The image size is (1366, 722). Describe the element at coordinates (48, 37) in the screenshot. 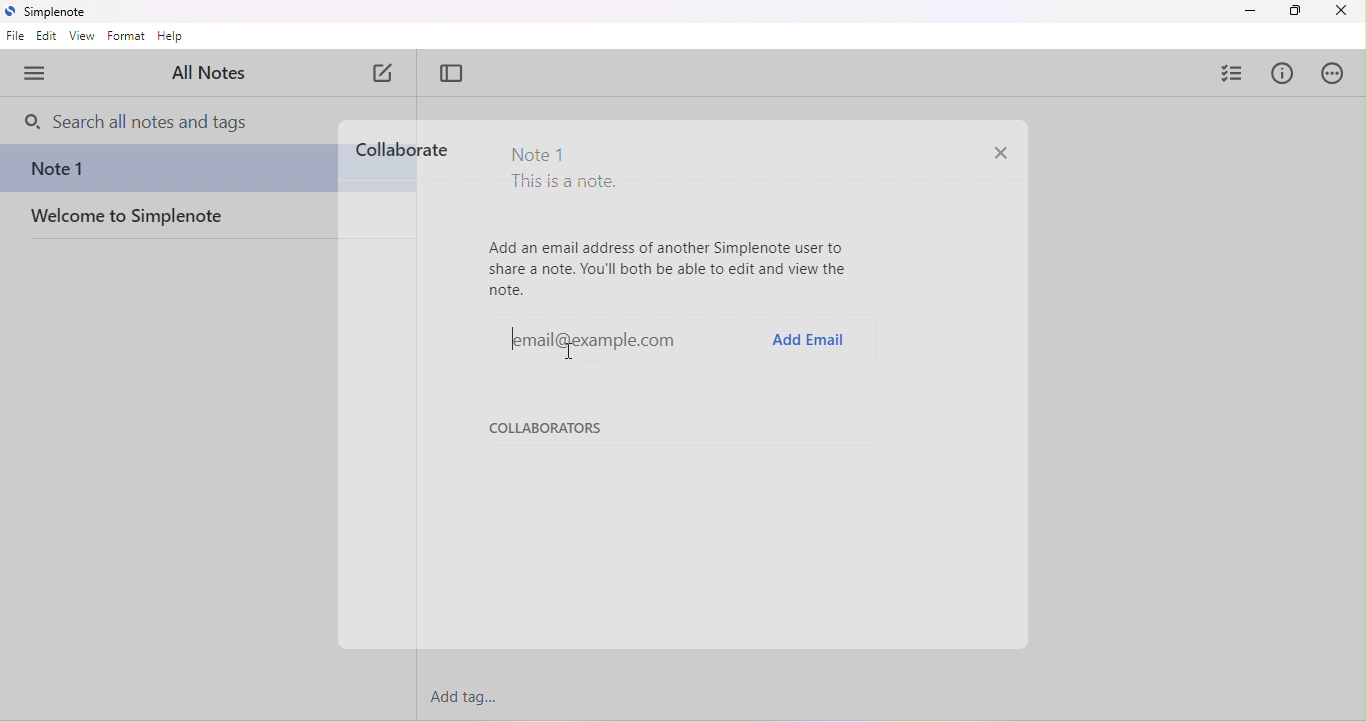

I see `edit` at that location.